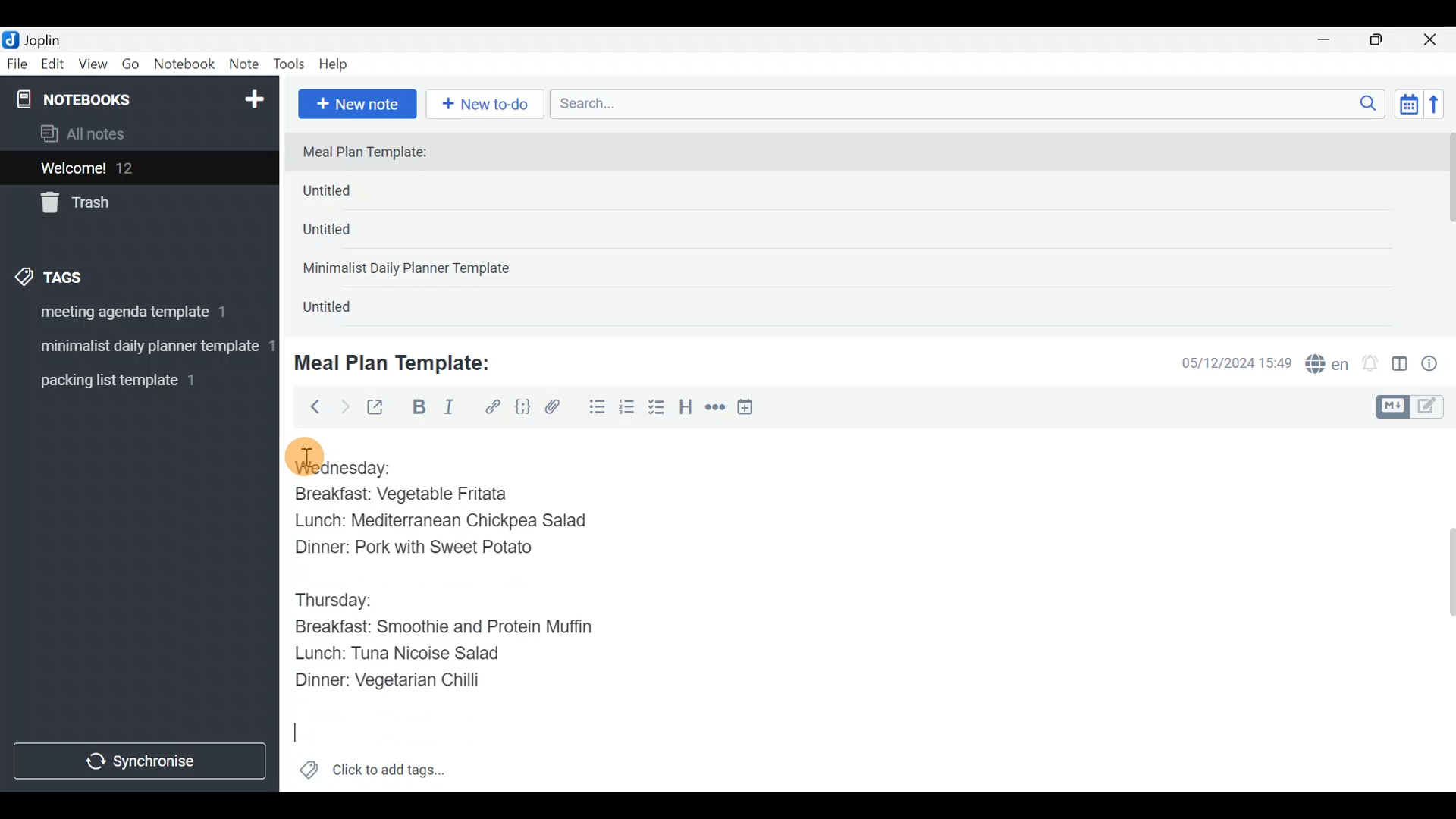 This screenshot has height=819, width=1456. What do you see at coordinates (339, 61) in the screenshot?
I see `Help` at bounding box center [339, 61].